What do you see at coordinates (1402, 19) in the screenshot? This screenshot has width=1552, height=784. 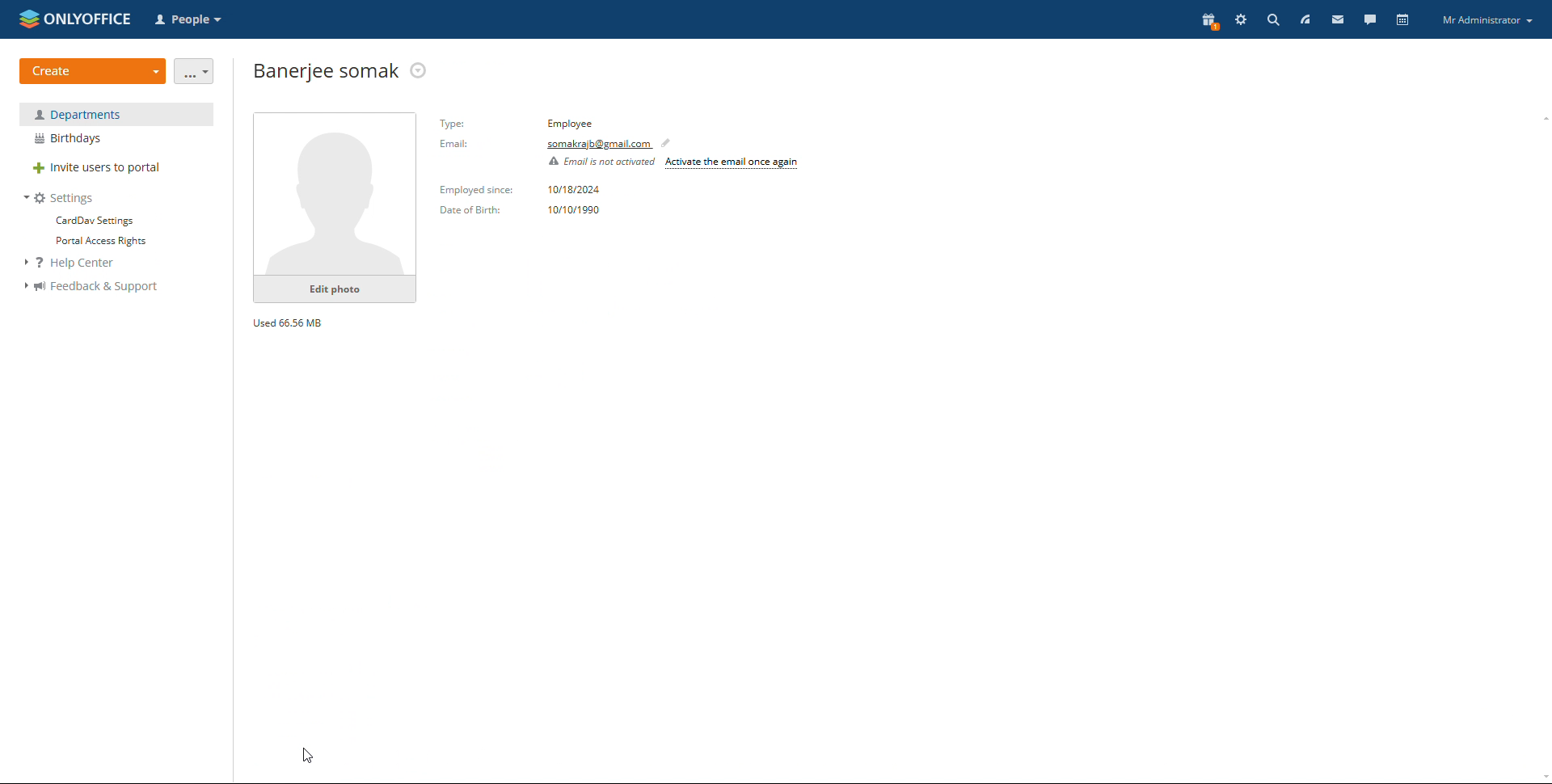 I see `calendar` at bounding box center [1402, 19].